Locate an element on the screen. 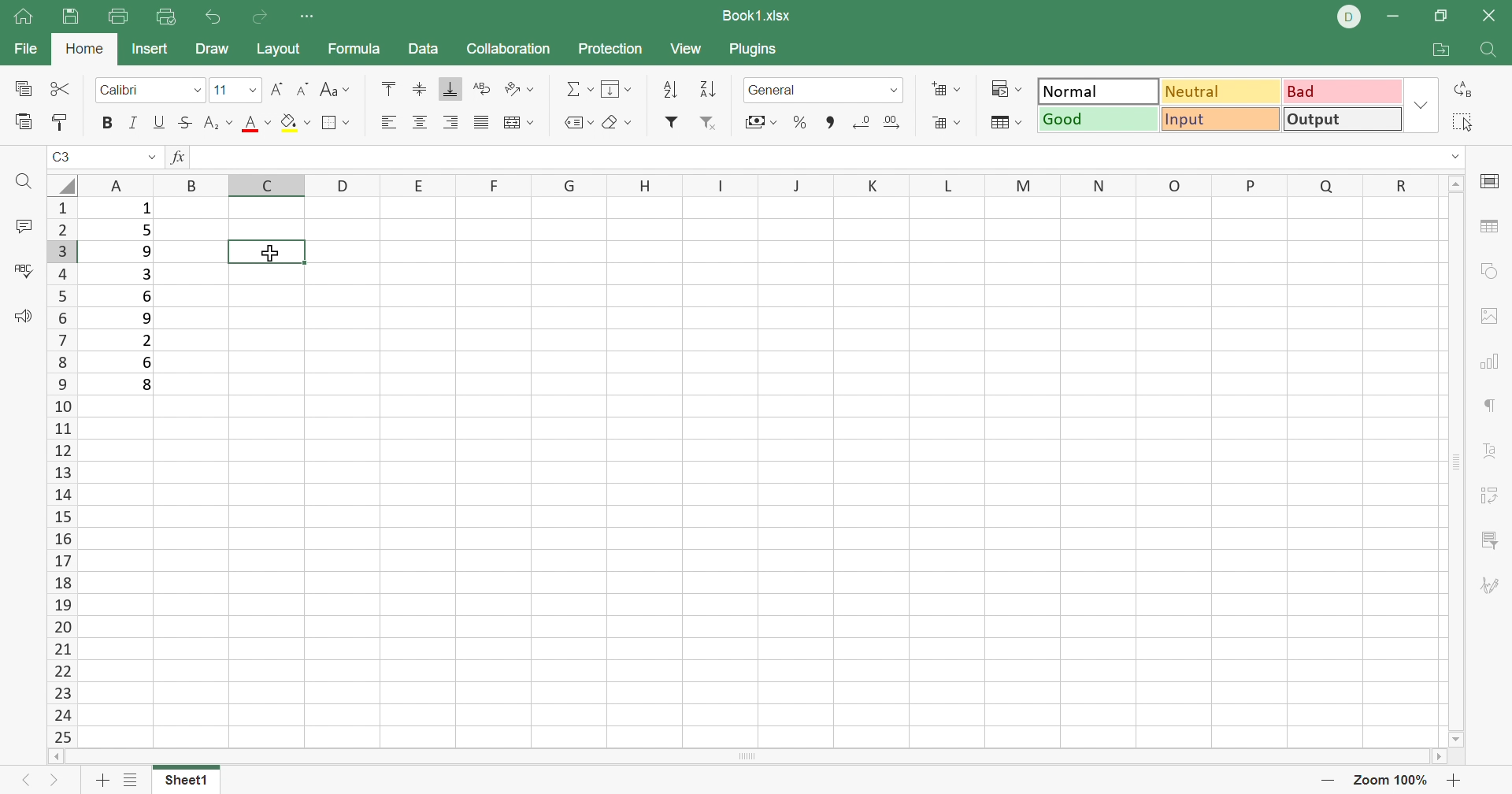 Image resolution: width=1512 pixels, height=794 pixels. Save is located at coordinates (69, 17).